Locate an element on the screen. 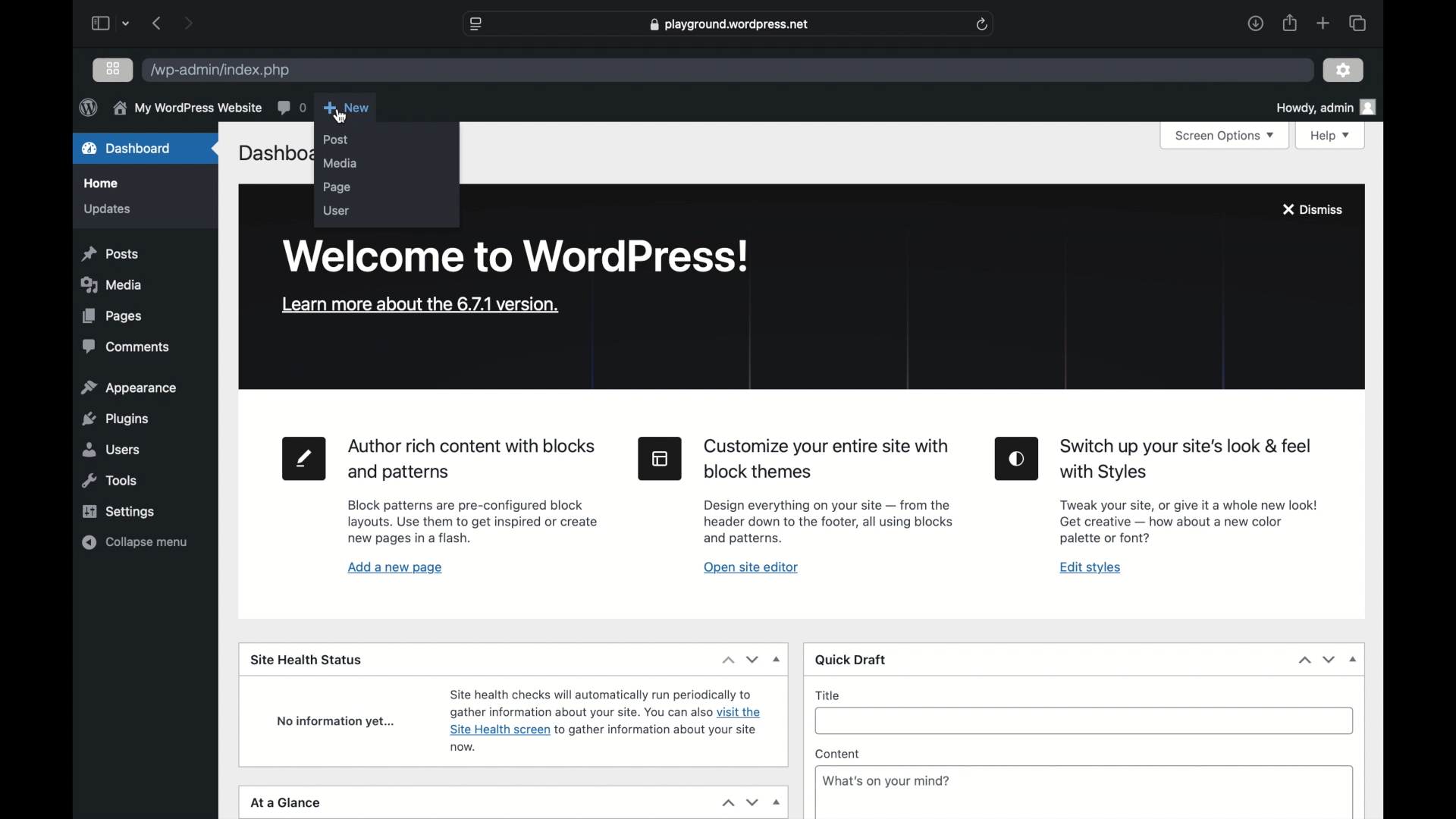 The height and width of the screenshot is (819, 1456). dismiss is located at coordinates (1311, 209).